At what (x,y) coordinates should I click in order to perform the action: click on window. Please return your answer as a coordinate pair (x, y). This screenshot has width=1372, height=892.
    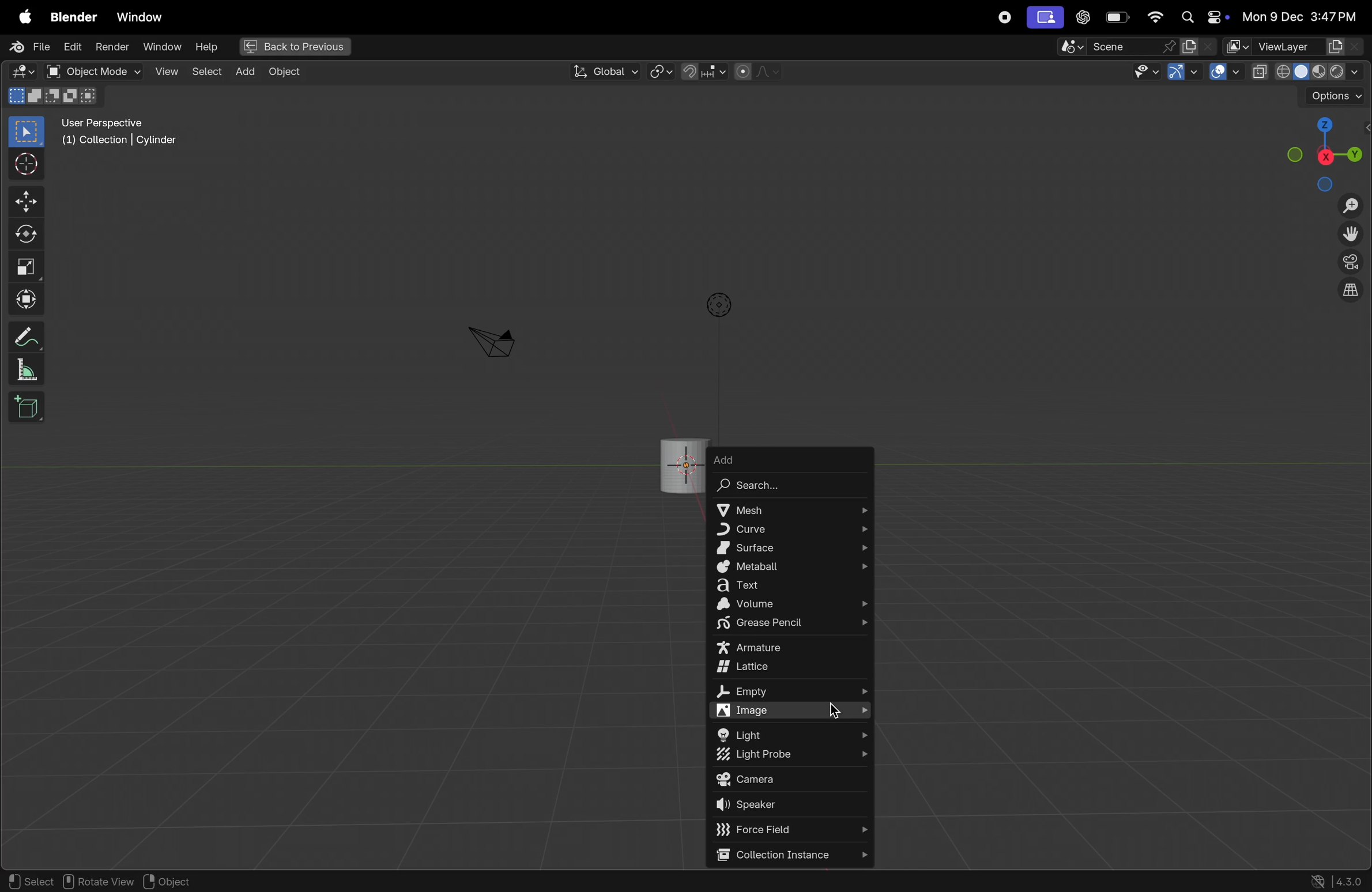
    Looking at the image, I should click on (161, 48).